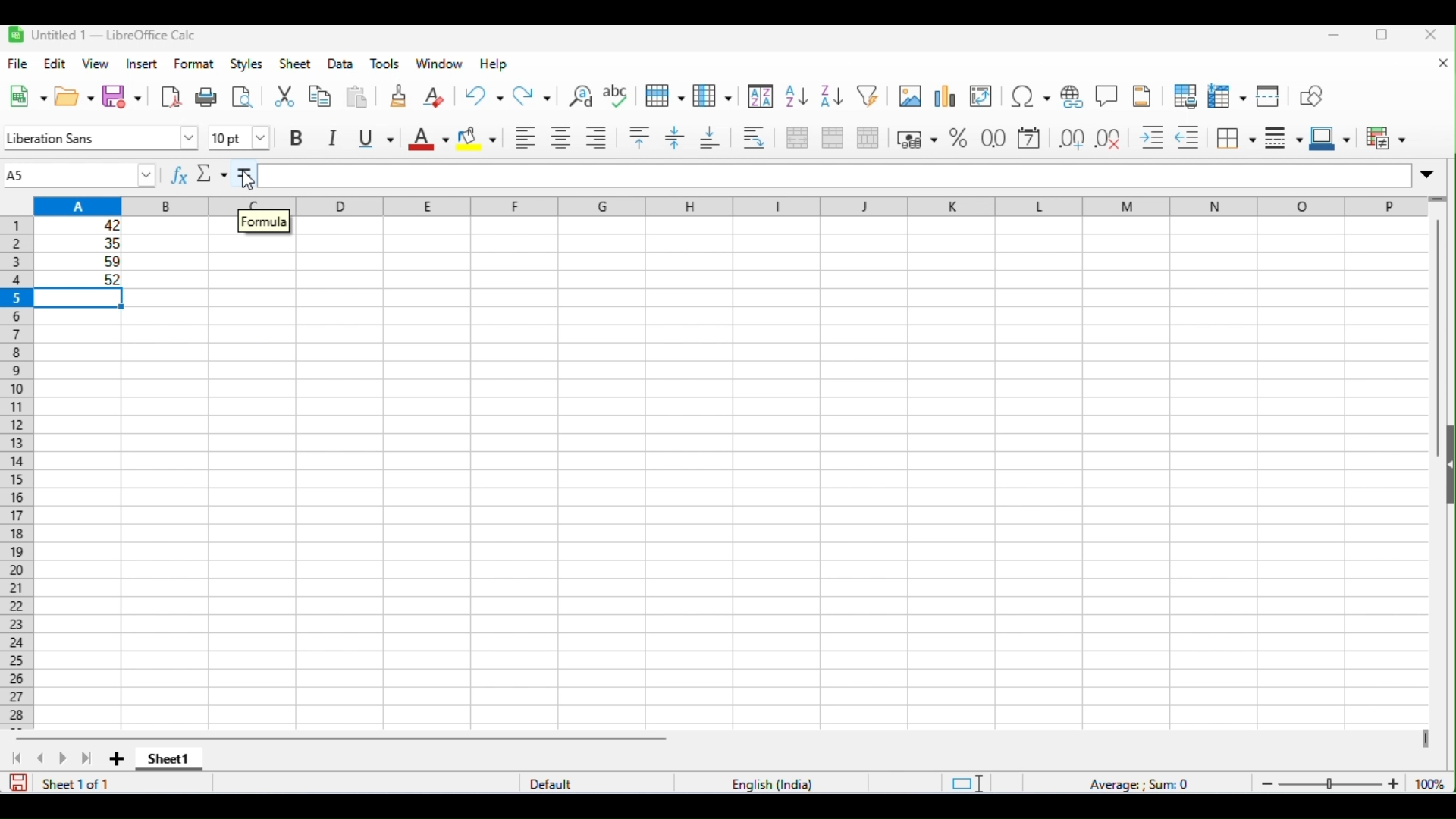 Image resolution: width=1456 pixels, height=819 pixels. What do you see at coordinates (664, 95) in the screenshot?
I see `row` at bounding box center [664, 95].